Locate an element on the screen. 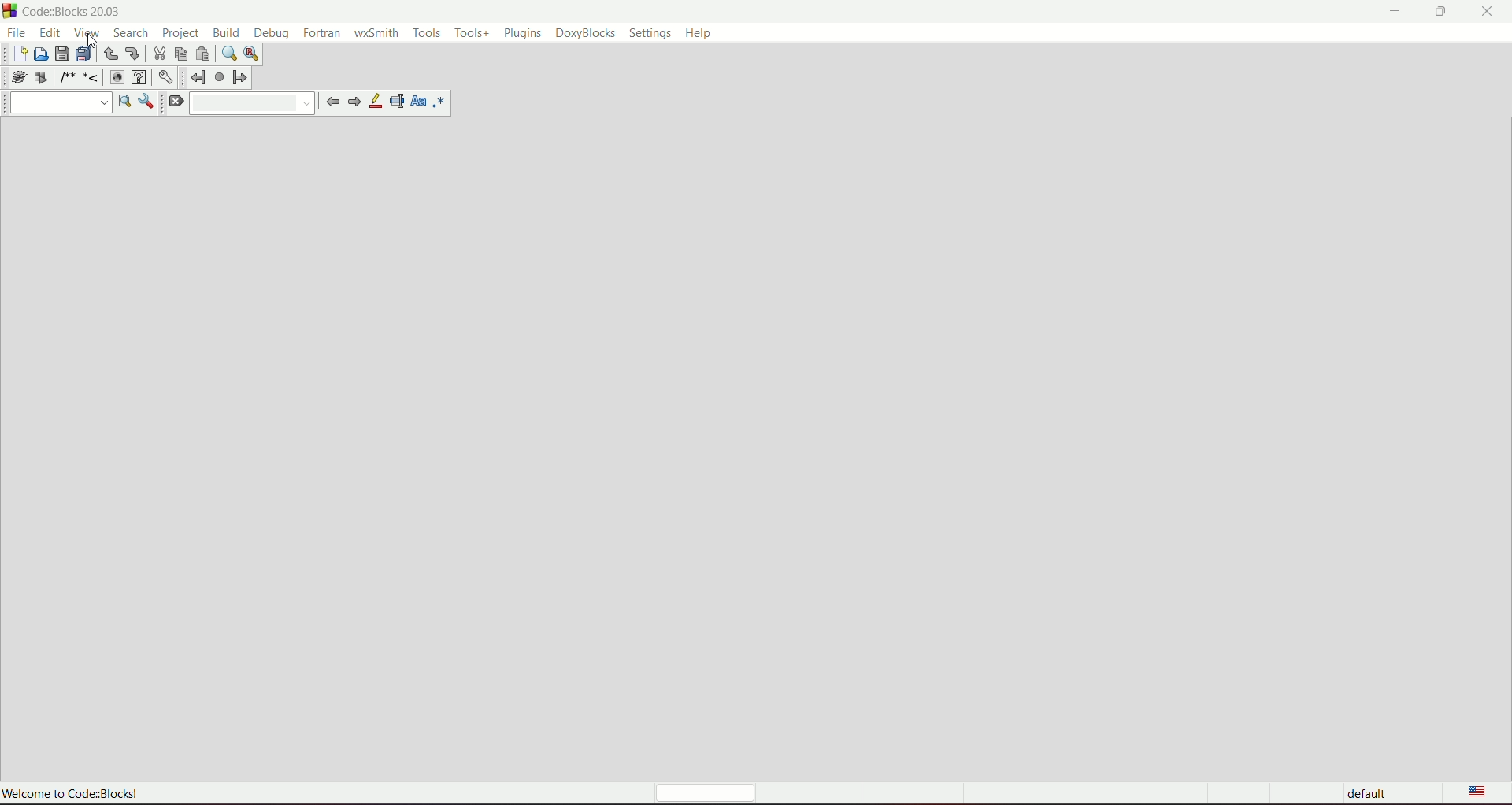 Image resolution: width=1512 pixels, height=805 pixels. open is located at coordinates (41, 54).